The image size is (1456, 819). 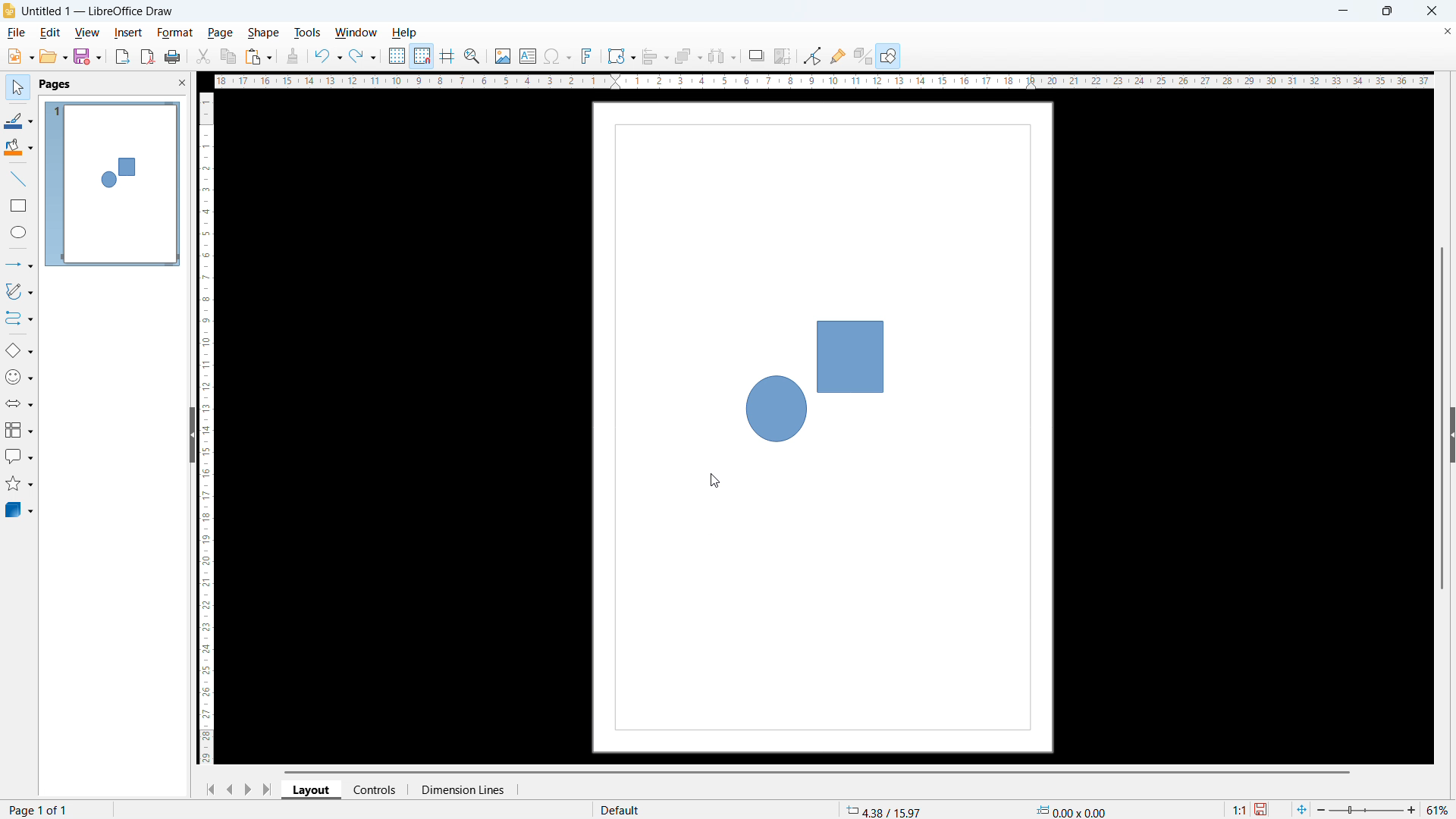 What do you see at coordinates (814, 57) in the screenshot?
I see `` at bounding box center [814, 57].